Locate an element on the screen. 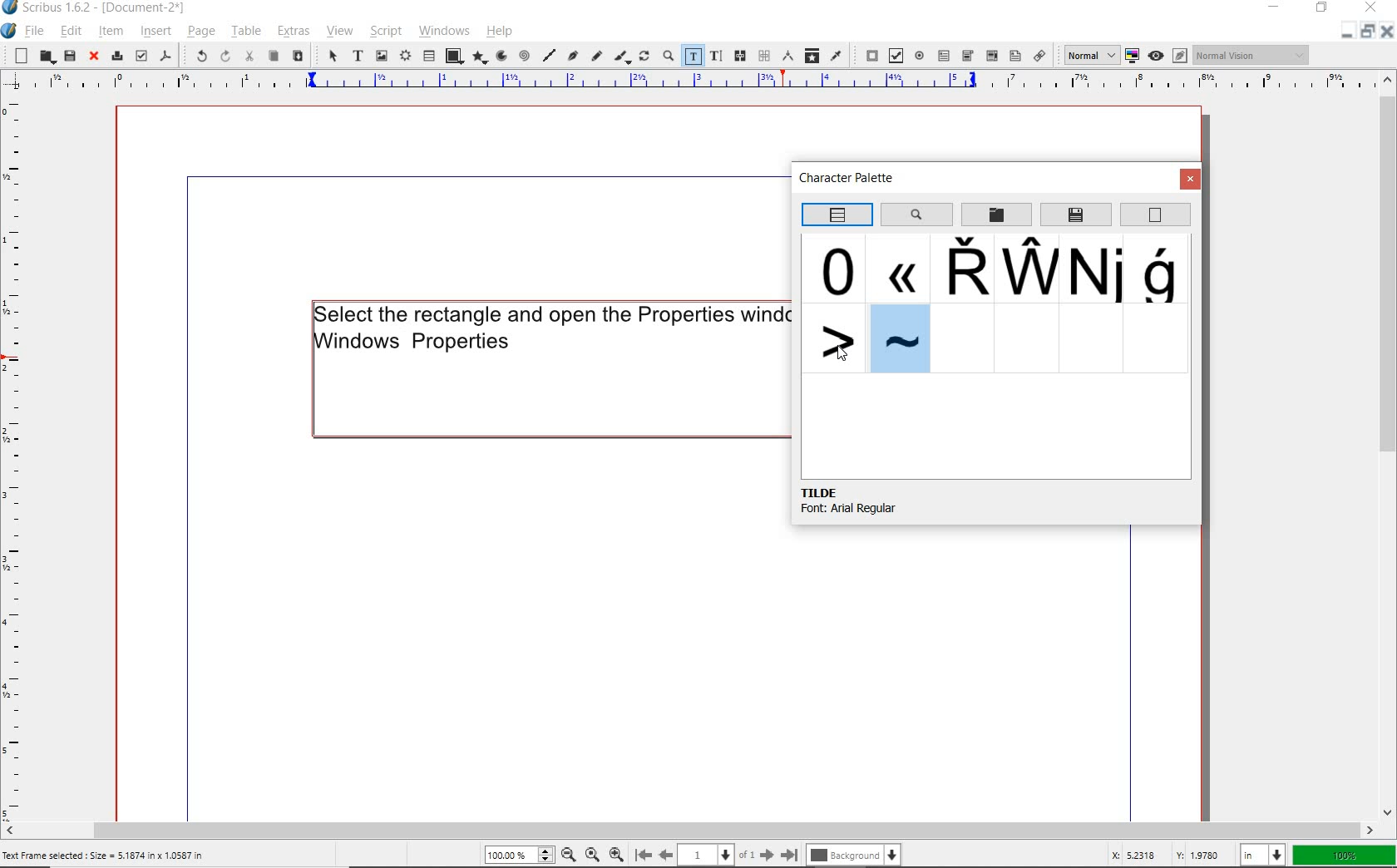  got to previous page is located at coordinates (666, 855).